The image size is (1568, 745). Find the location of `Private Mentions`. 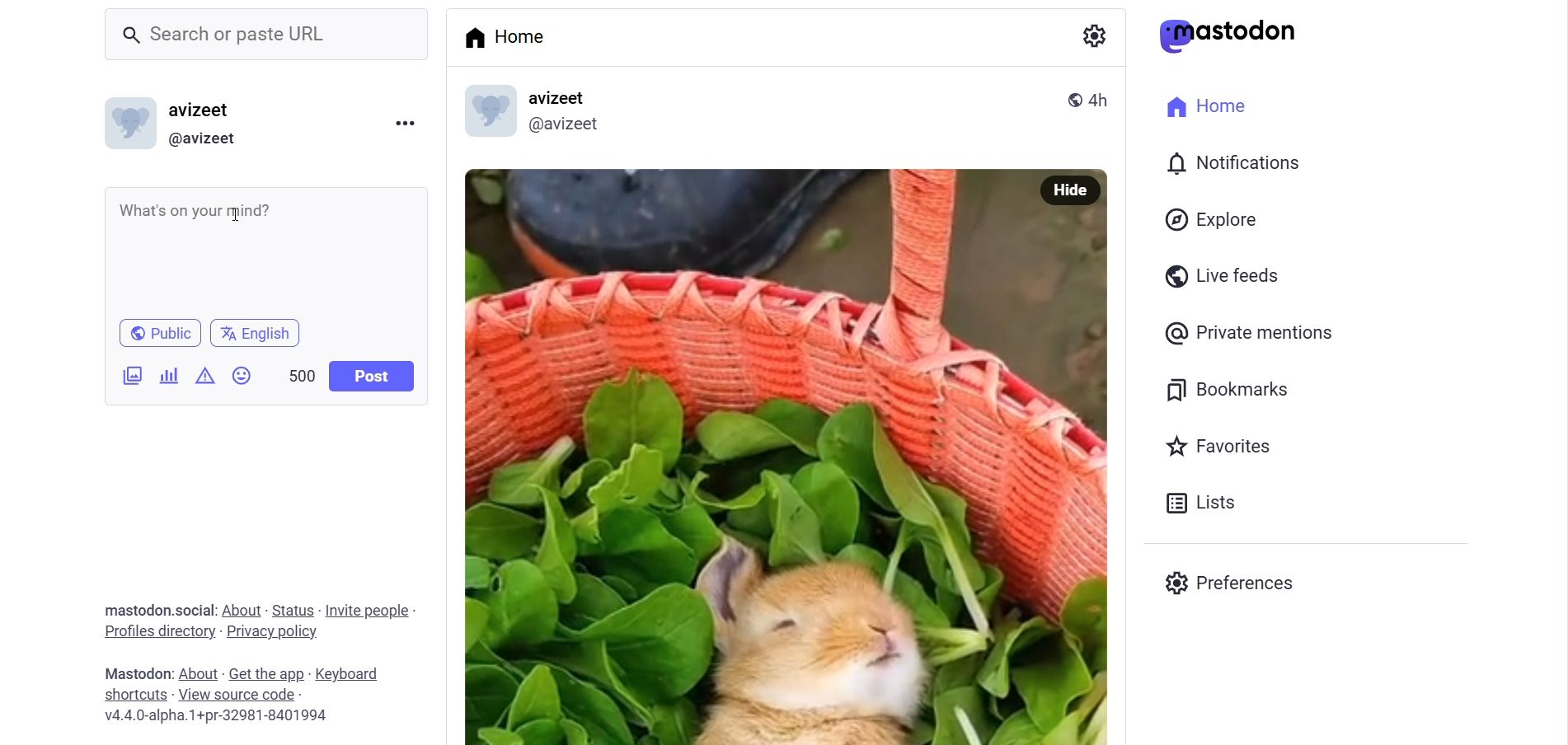

Private Mentions is located at coordinates (1251, 331).